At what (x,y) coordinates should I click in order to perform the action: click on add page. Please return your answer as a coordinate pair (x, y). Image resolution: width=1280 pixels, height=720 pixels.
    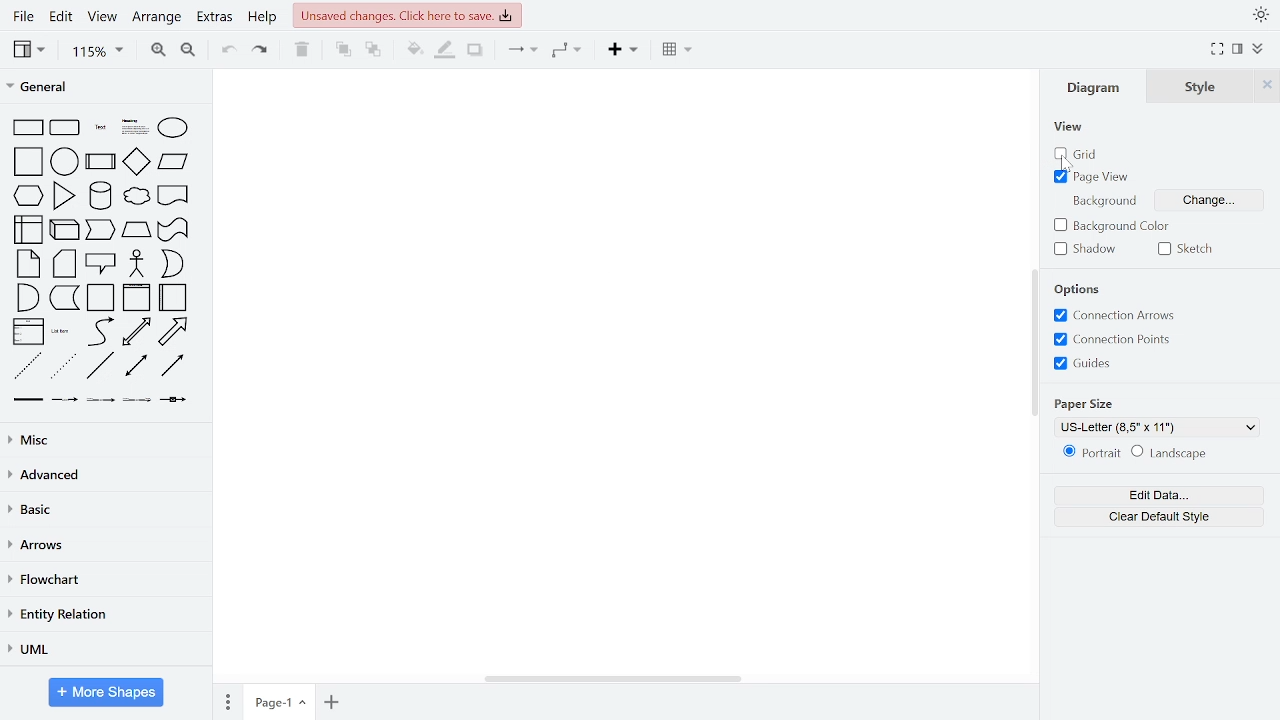
    Looking at the image, I should click on (331, 700).